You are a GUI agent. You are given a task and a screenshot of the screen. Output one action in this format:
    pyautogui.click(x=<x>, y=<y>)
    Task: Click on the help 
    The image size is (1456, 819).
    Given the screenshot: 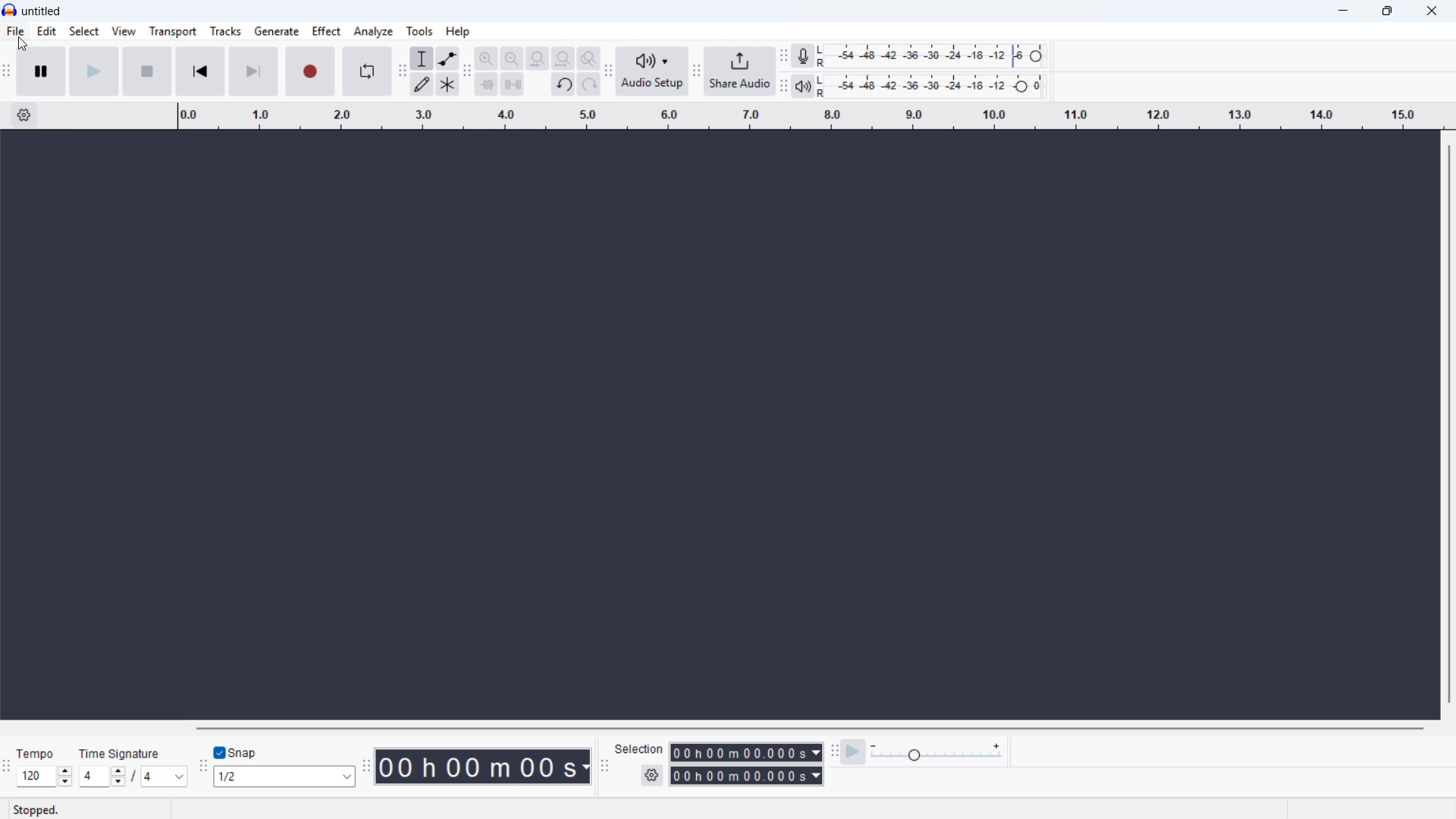 What is the action you would take?
    pyautogui.click(x=457, y=32)
    